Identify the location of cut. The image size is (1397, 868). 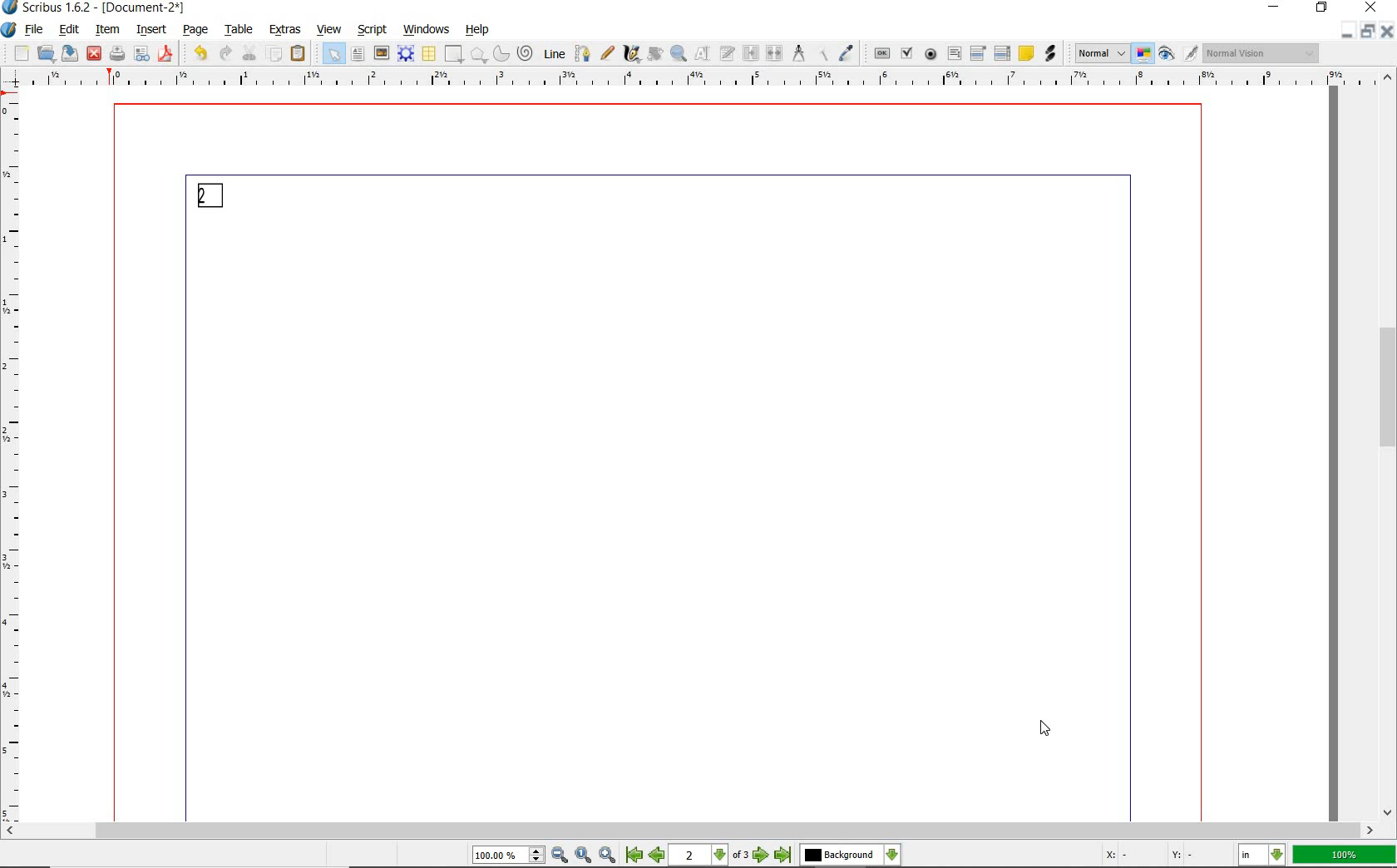
(249, 52).